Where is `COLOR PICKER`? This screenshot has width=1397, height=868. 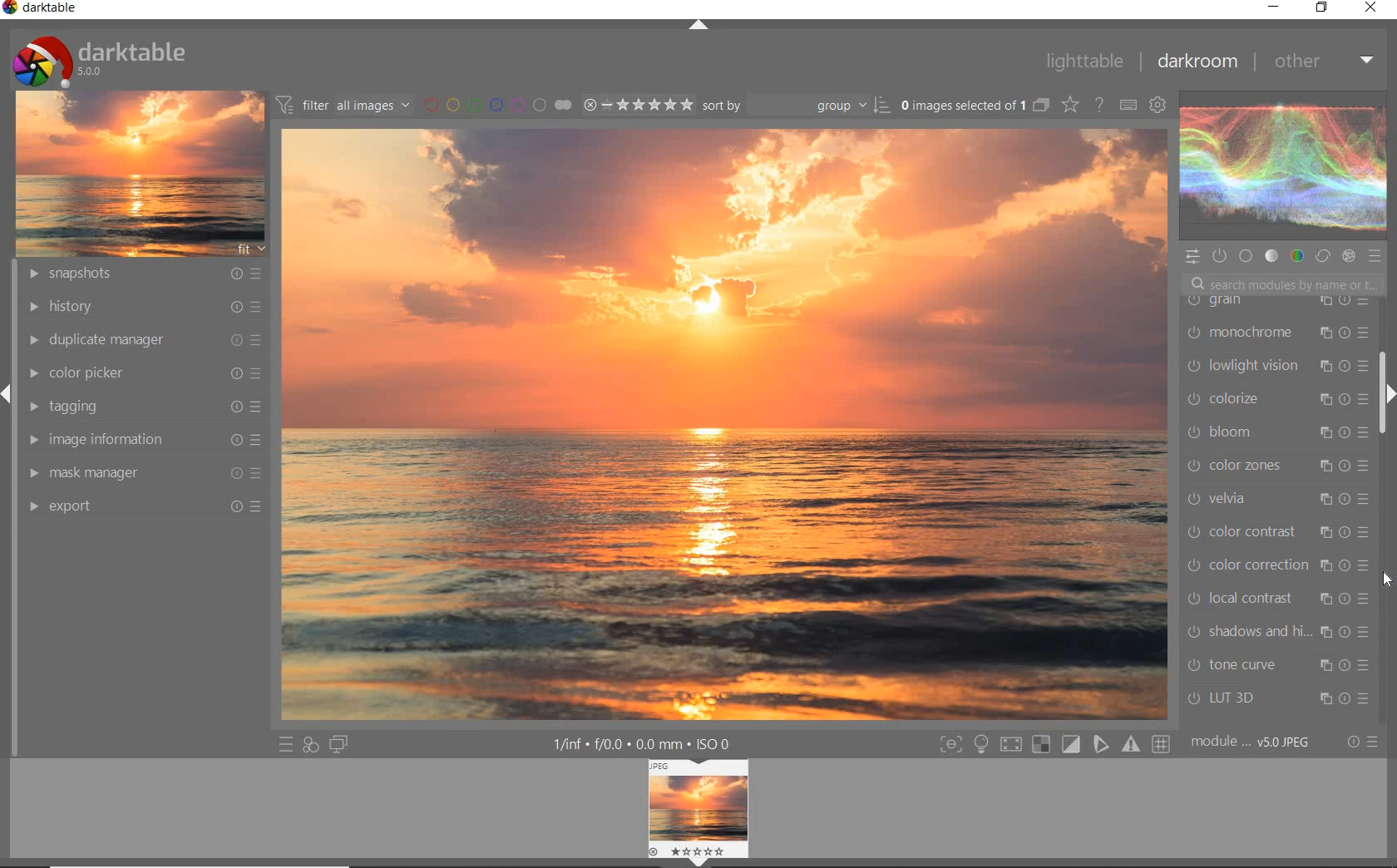
COLOR PICKER is located at coordinates (148, 372).